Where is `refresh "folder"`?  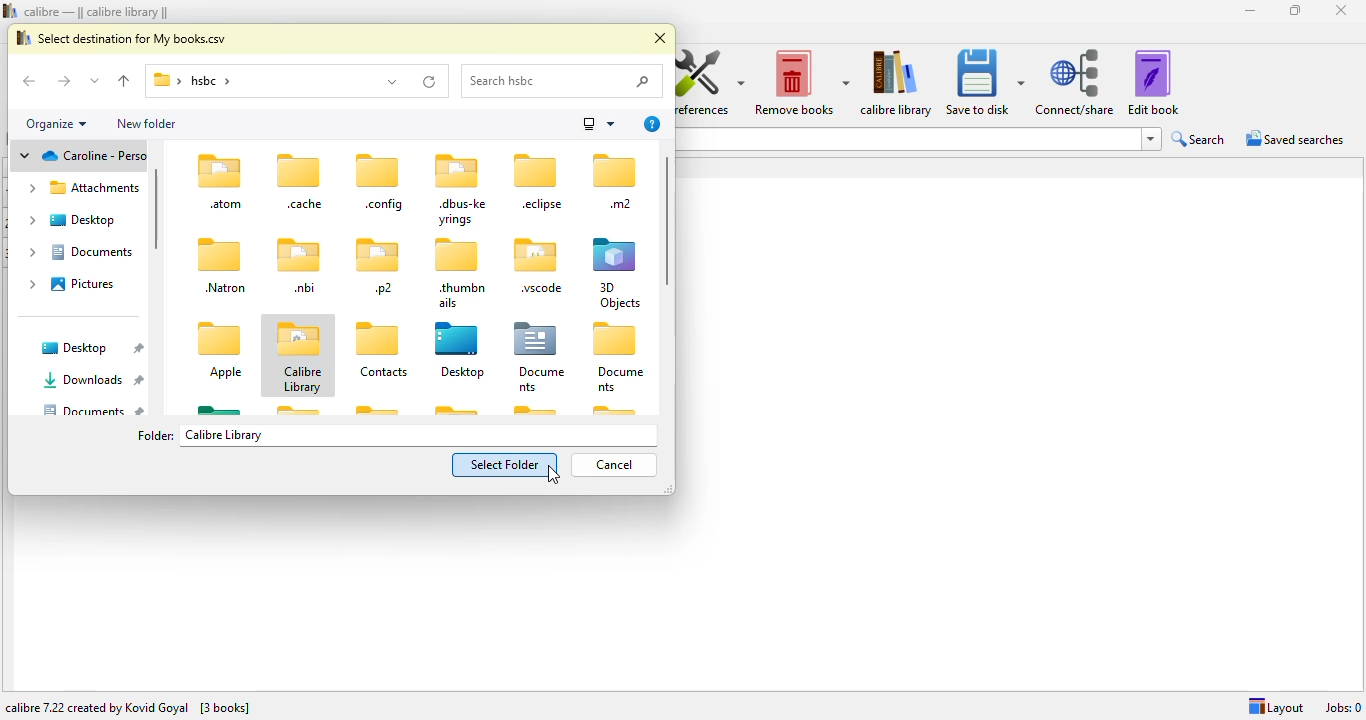 refresh "folder" is located at coordinates (429, 81).